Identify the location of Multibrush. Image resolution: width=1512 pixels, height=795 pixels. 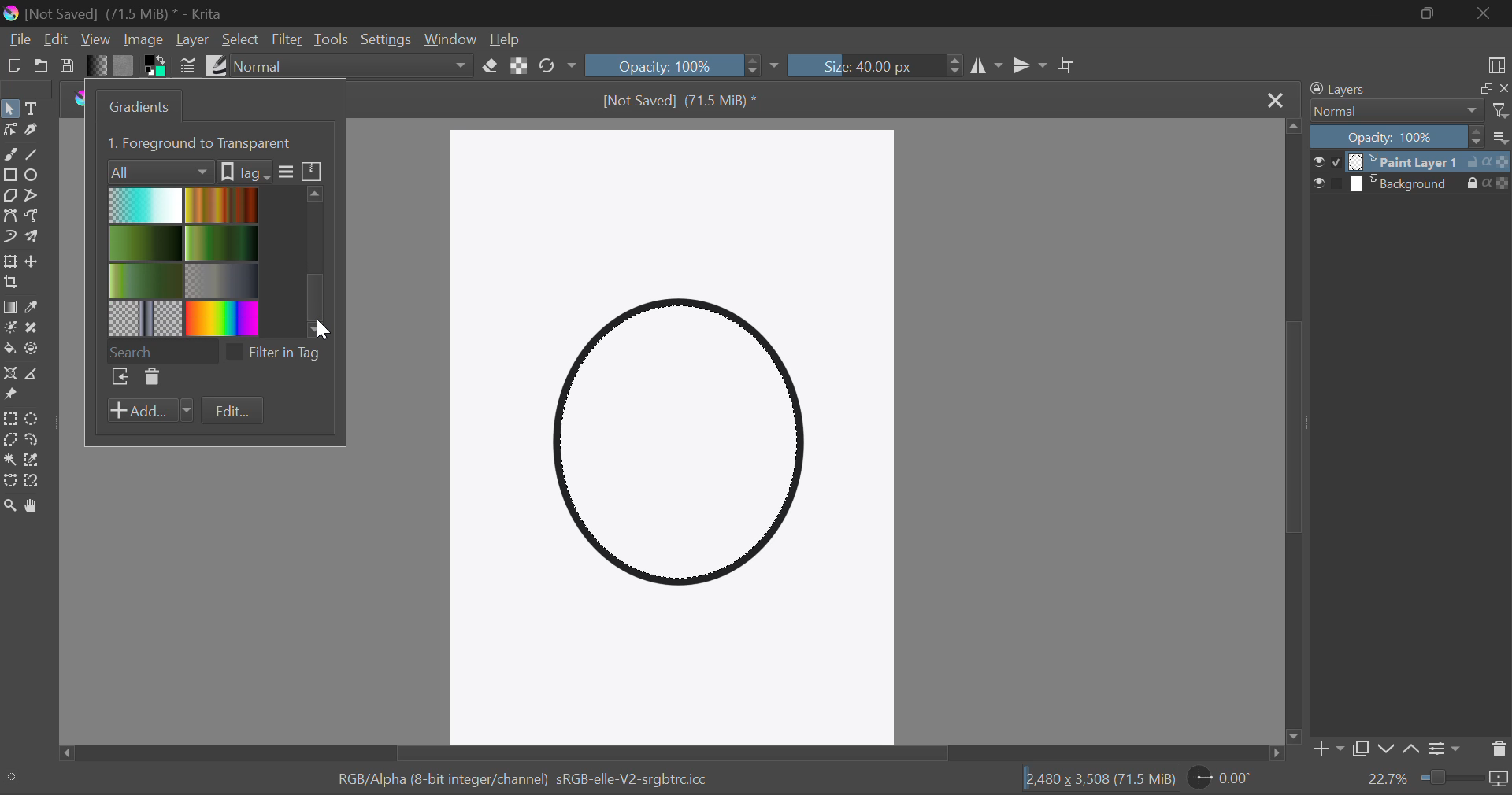
(34, 238).